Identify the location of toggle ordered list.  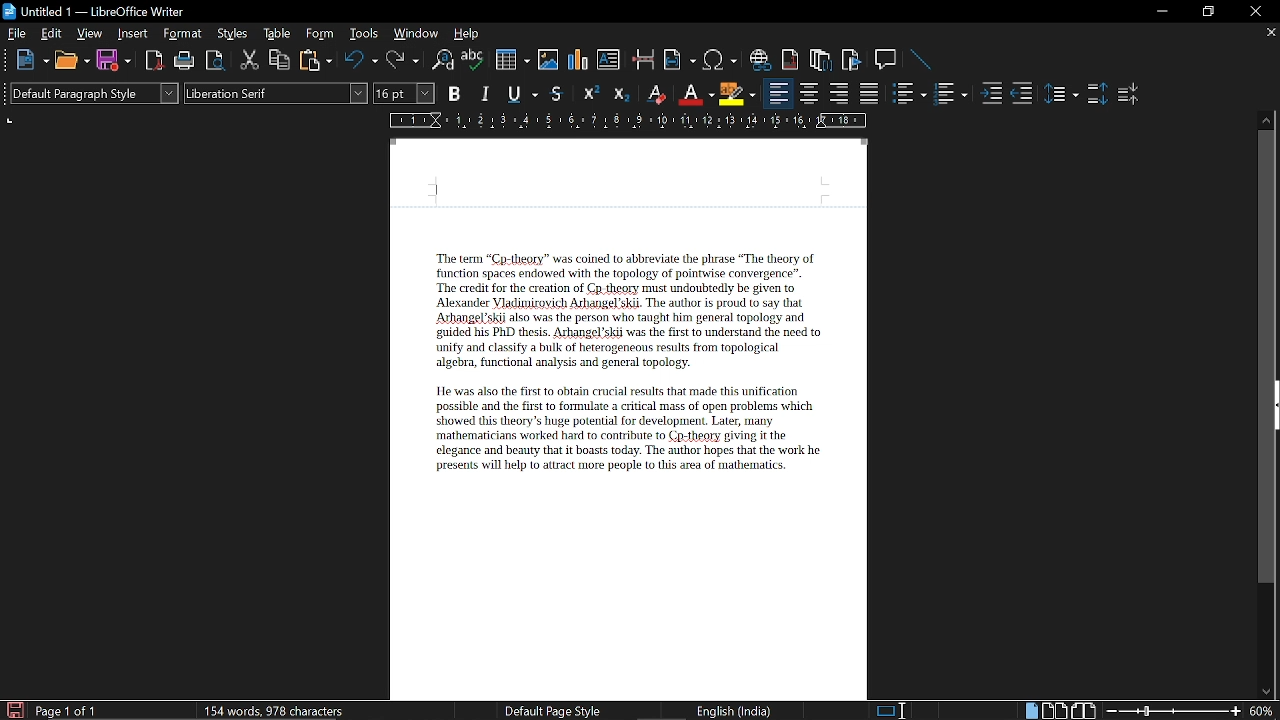
(909, 94).